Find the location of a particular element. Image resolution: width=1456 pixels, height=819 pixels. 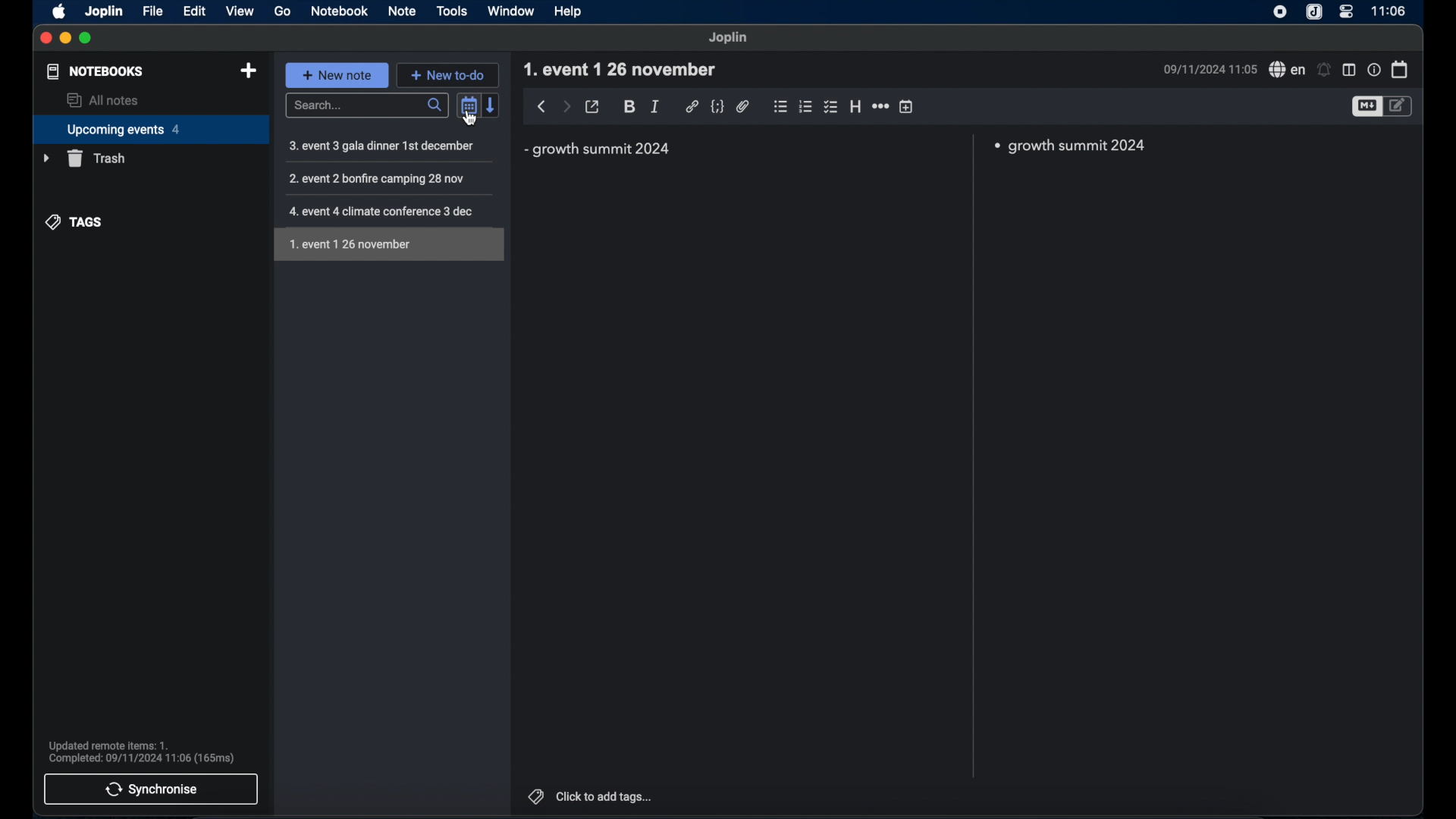

maximize  is located at coordinates (86, 38).